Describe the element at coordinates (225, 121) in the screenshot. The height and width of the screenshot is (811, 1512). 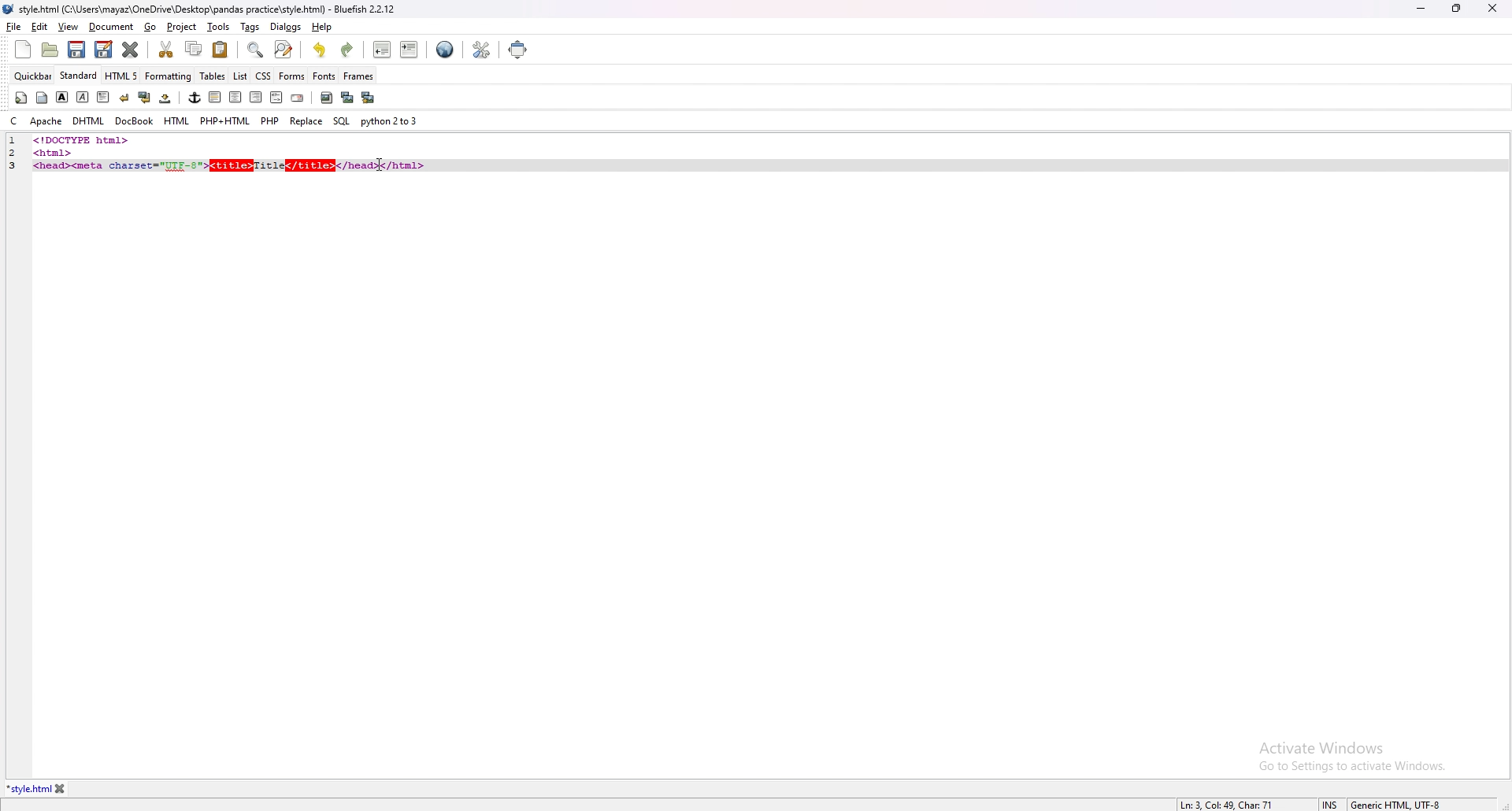
I see `php+html` at that location.